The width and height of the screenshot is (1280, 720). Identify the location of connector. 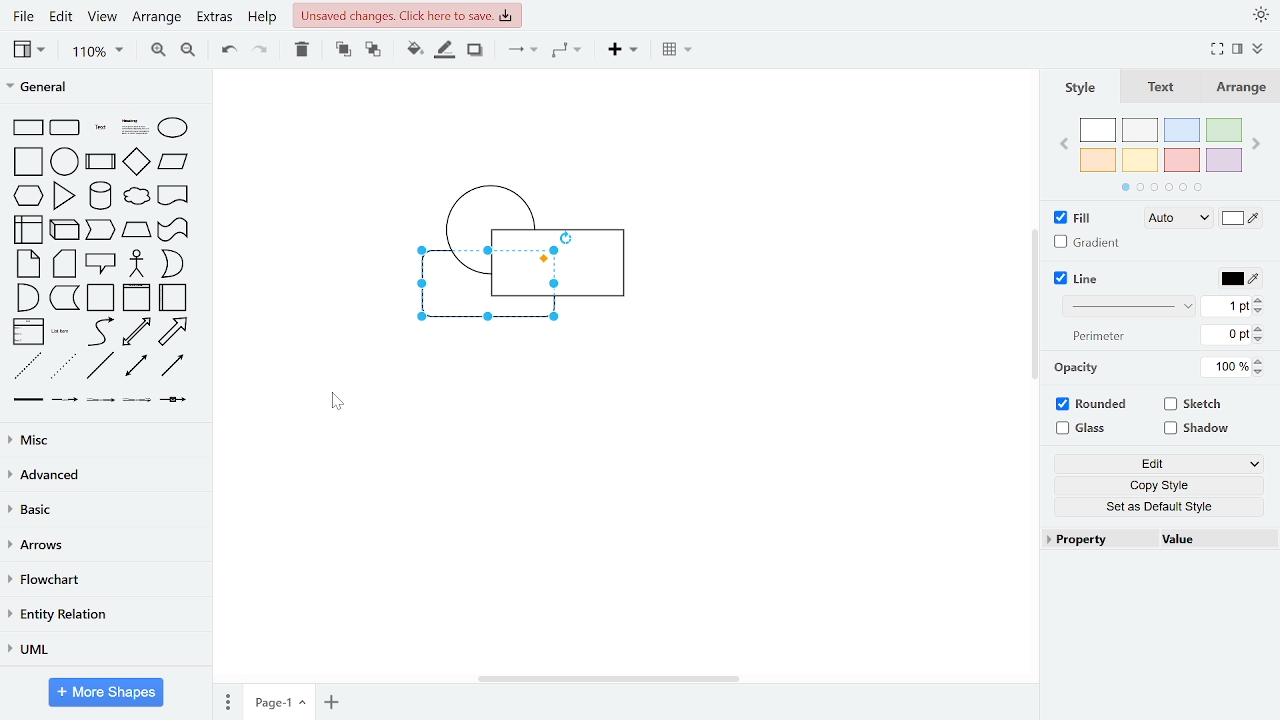
(521, 55).